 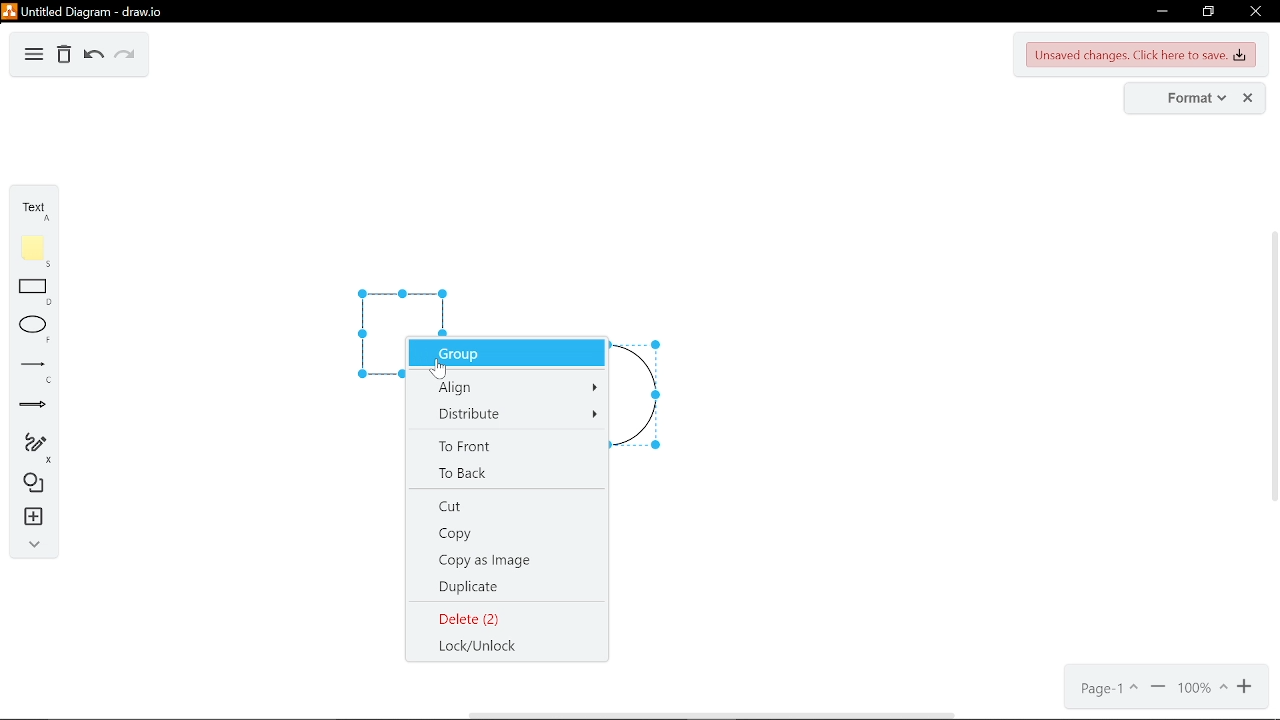 I want to click on align, so click(x=508, y=388).